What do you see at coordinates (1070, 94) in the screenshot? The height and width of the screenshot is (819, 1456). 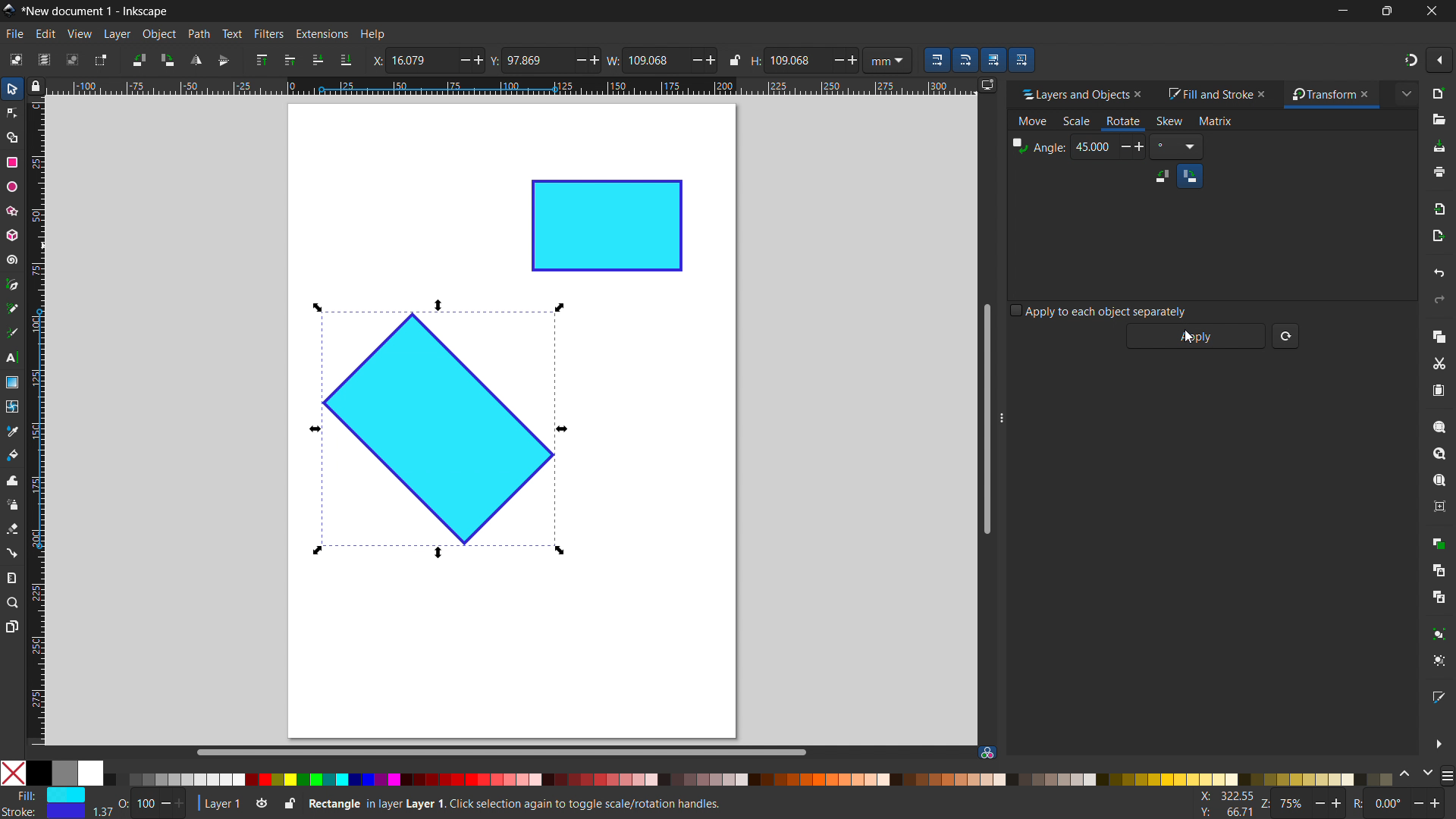 I see `layers and objects` at bounding box center [1070, 94].